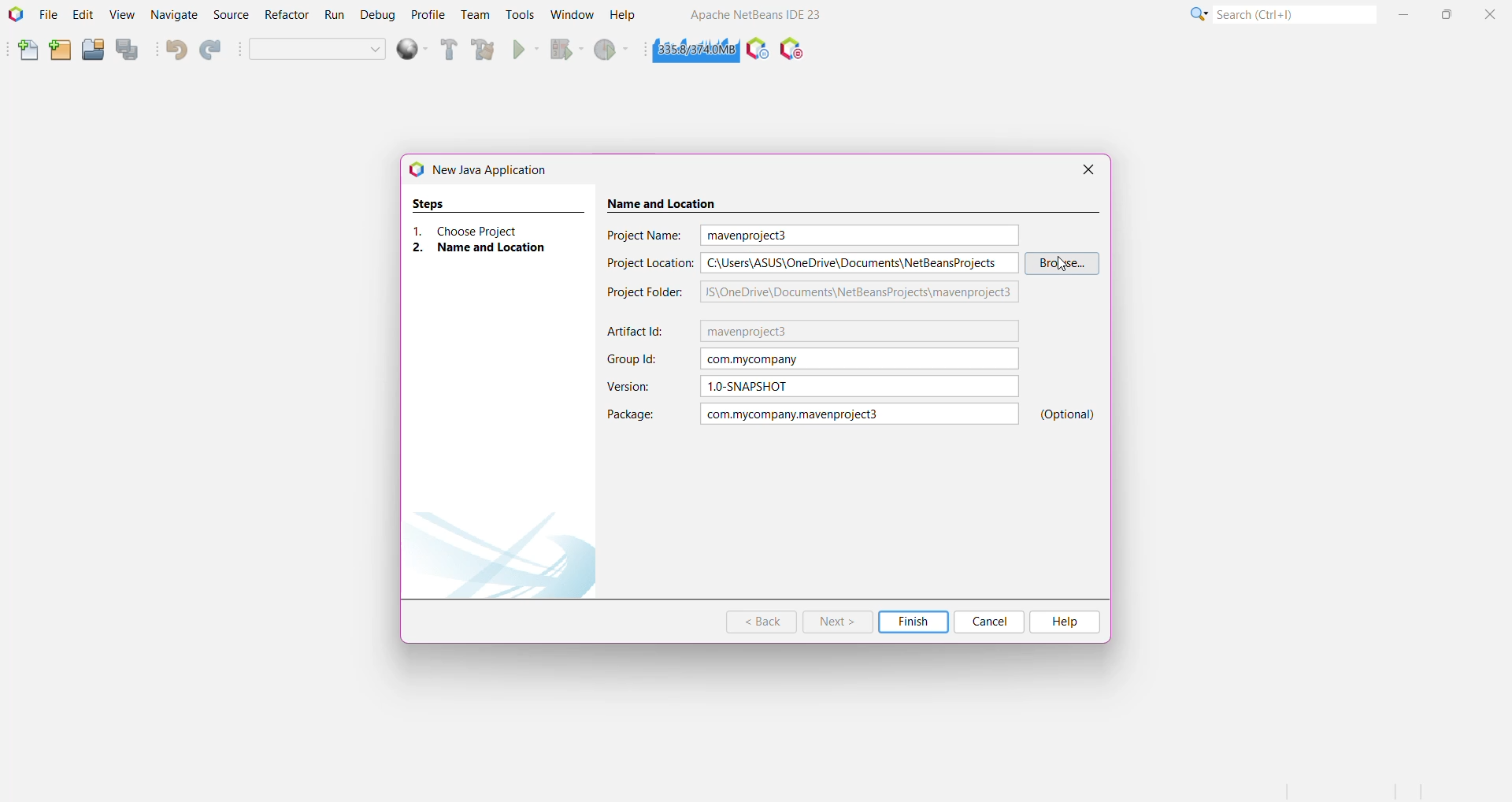 Image resolution: width=1512 pixels, height=802 pixels. I want to click on Run, so click(335, 16).